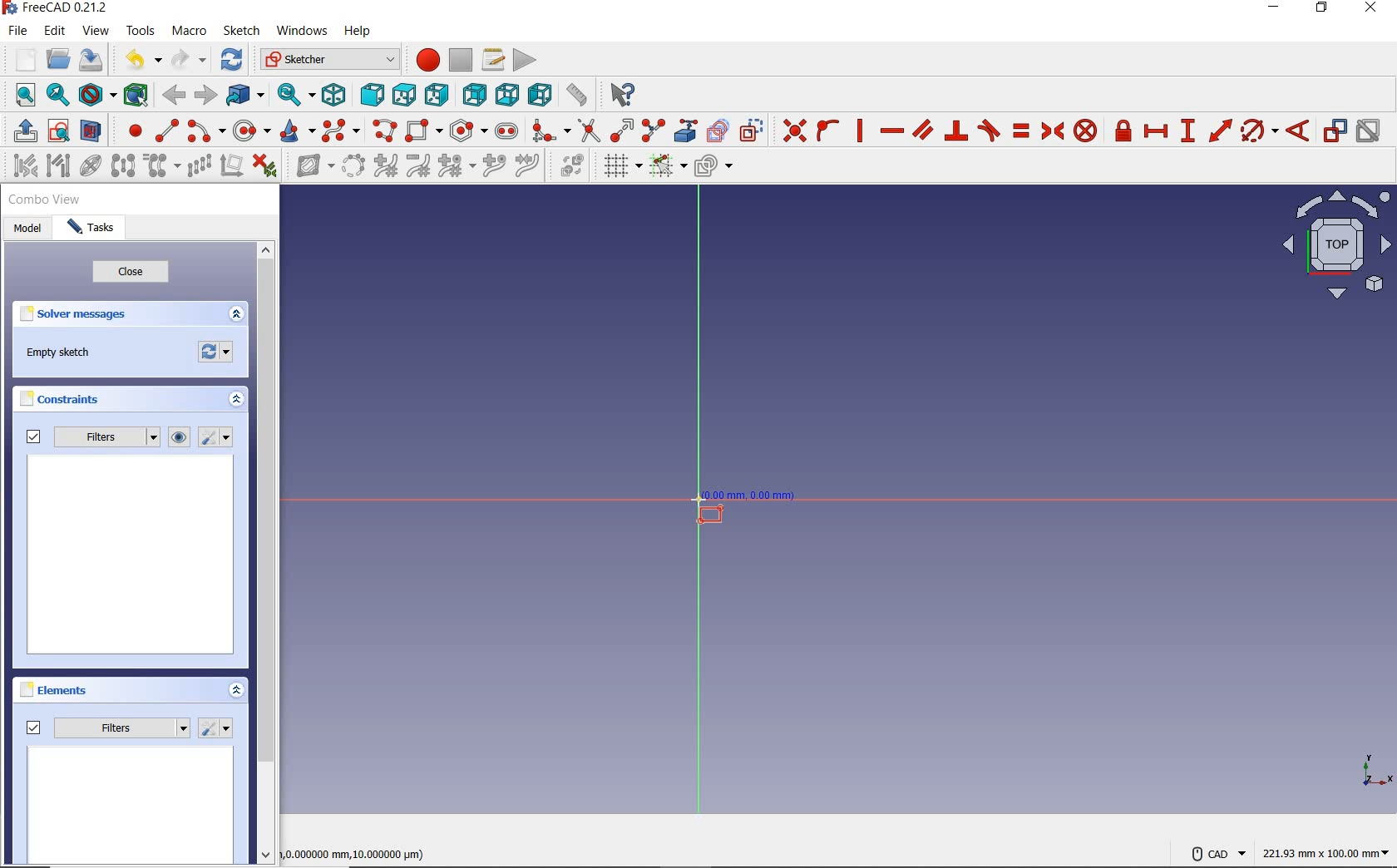 Image resolution: width=1397 pixels, height=868 pixels. I want to click on create line, so click(166, 131).